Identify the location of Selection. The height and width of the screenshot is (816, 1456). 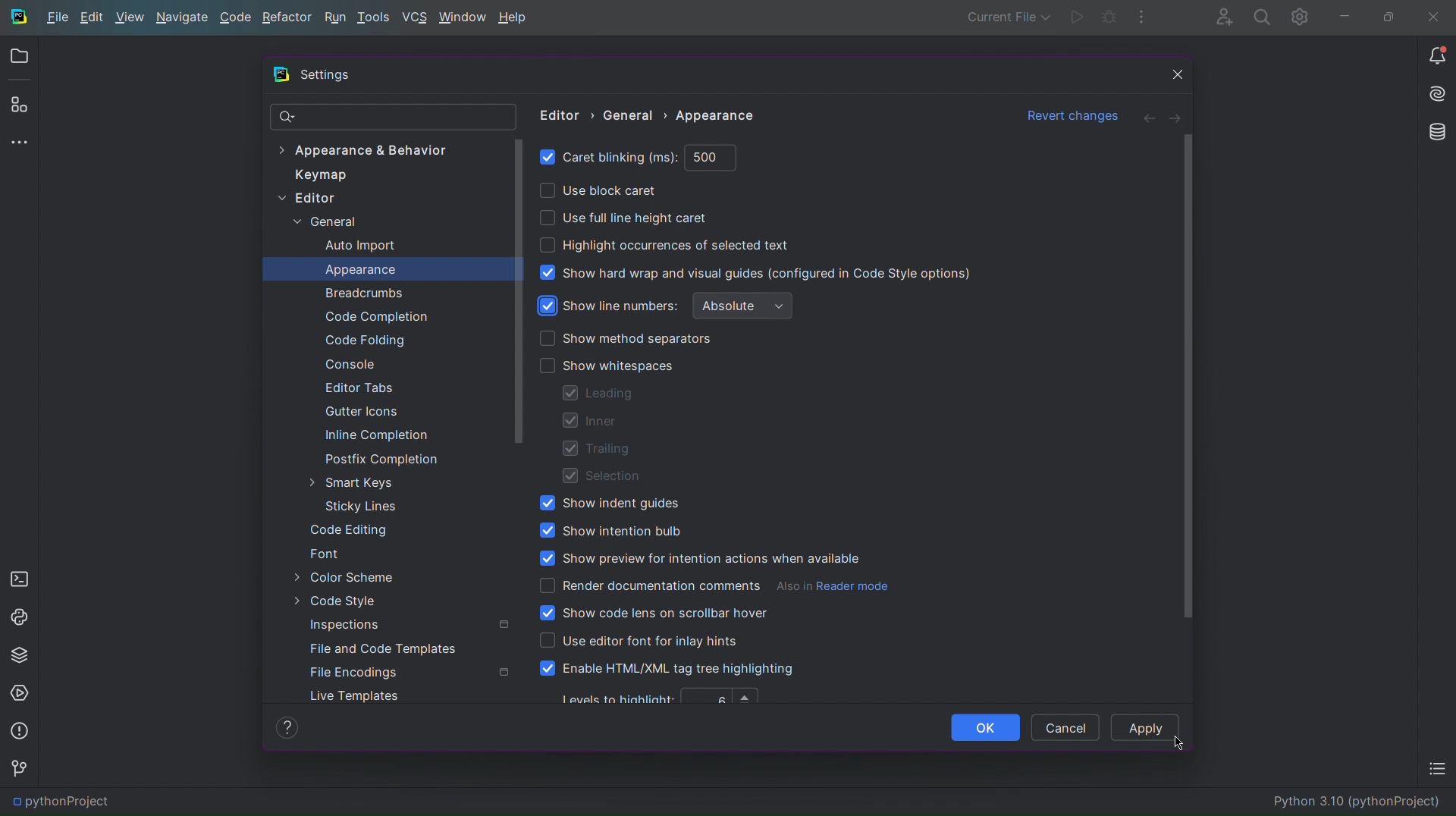
(601, 476).